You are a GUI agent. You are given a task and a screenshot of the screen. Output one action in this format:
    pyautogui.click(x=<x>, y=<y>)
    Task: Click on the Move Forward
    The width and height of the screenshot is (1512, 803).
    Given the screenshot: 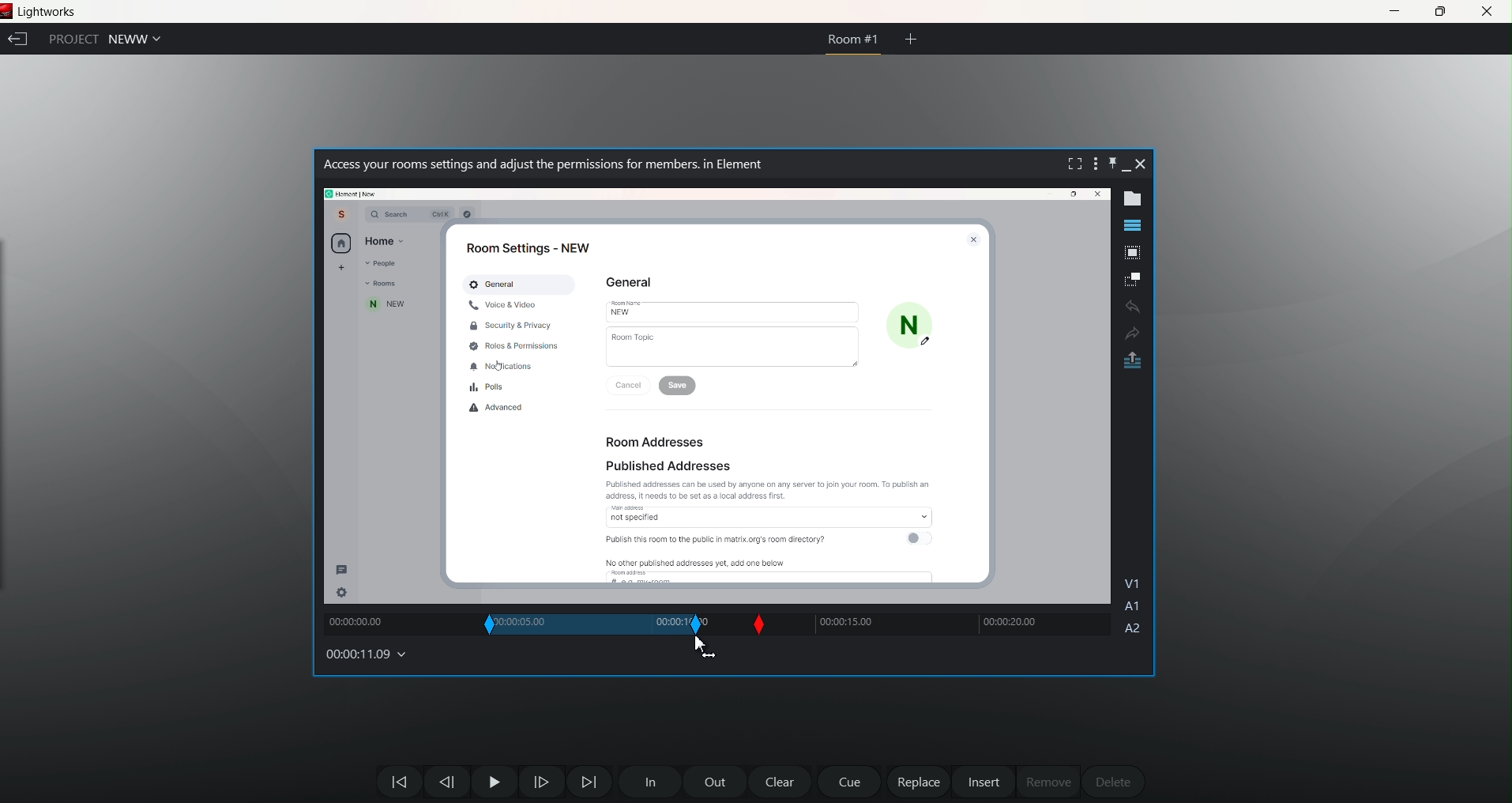 What is the action you would take?
    pyautogui.click(x=589, y=780)
    